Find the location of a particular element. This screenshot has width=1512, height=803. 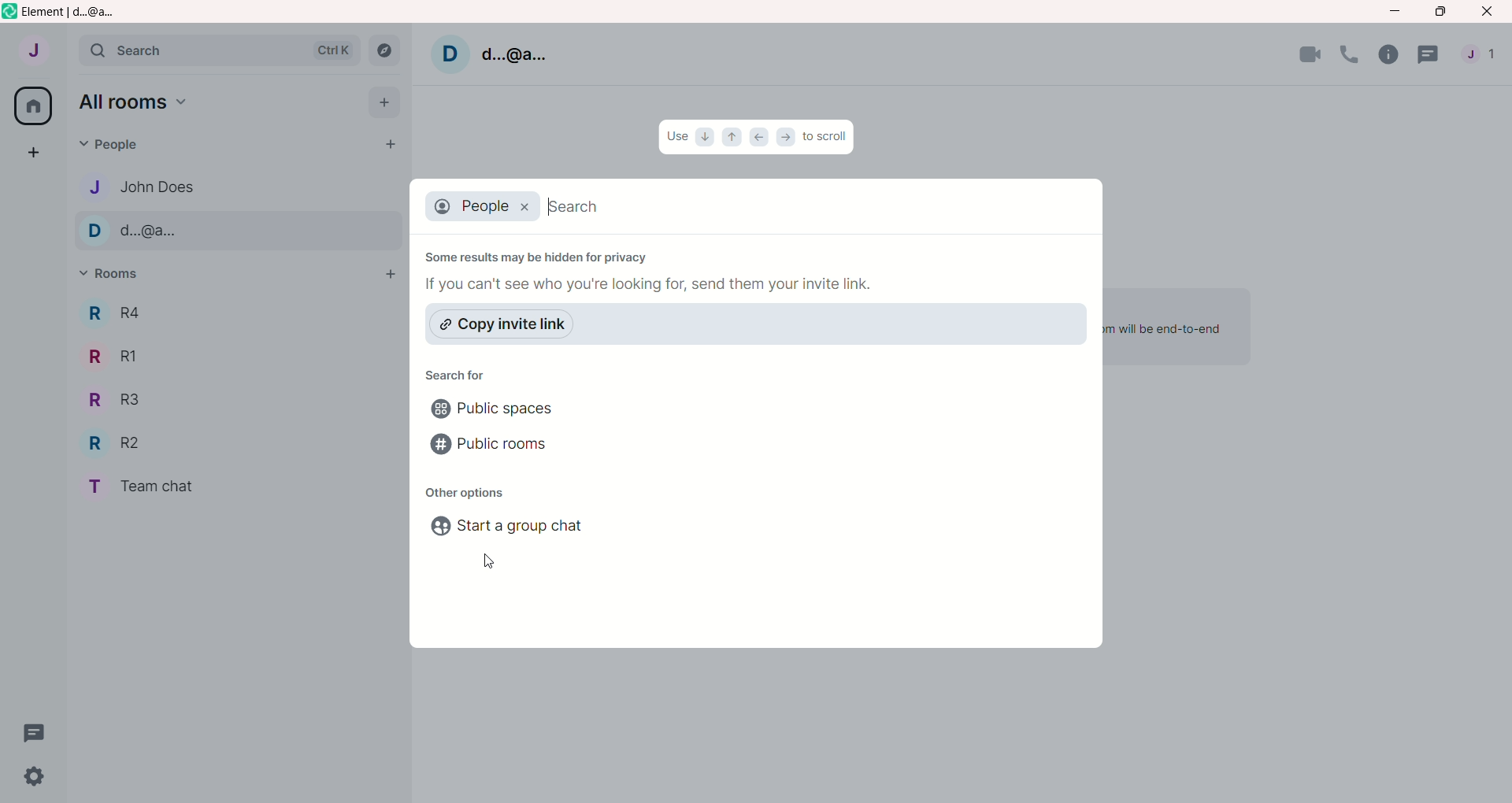

search bar is located at coordinates (818, 208).